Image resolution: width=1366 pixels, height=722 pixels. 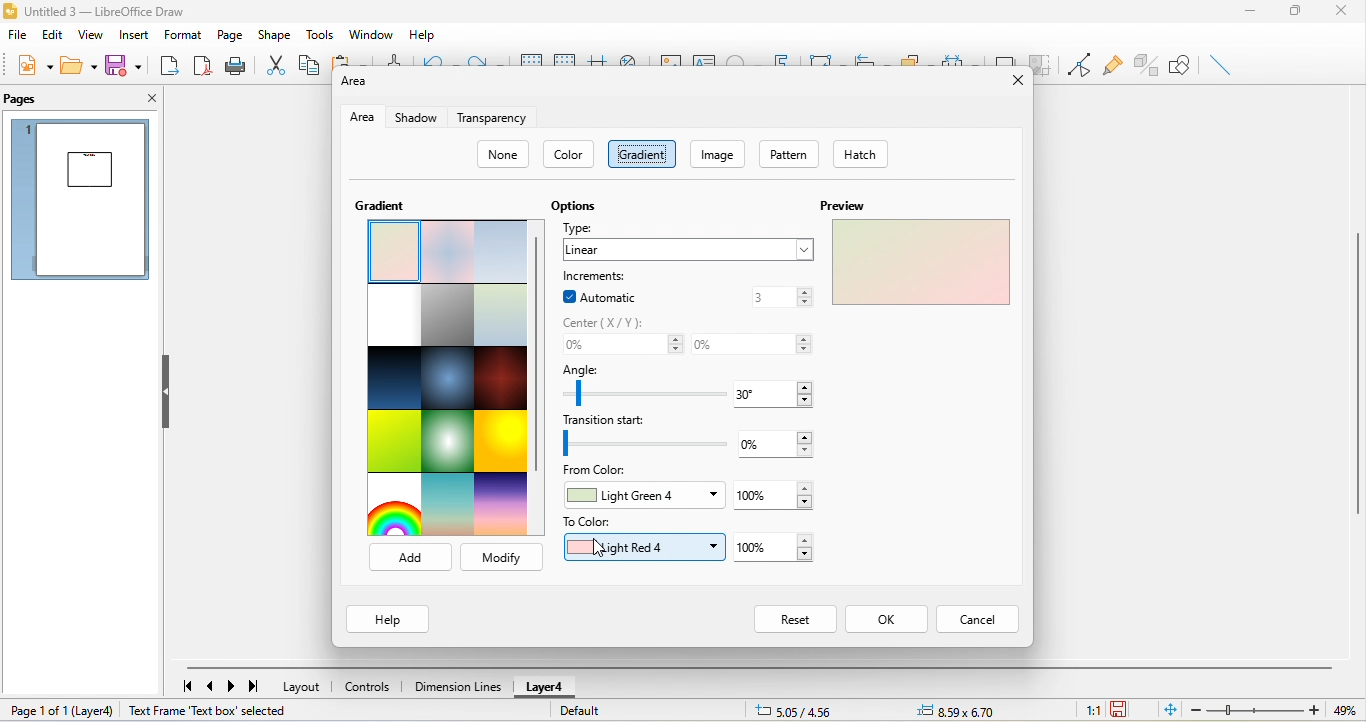 I want to click on london mist, so click(x=448, y=316).